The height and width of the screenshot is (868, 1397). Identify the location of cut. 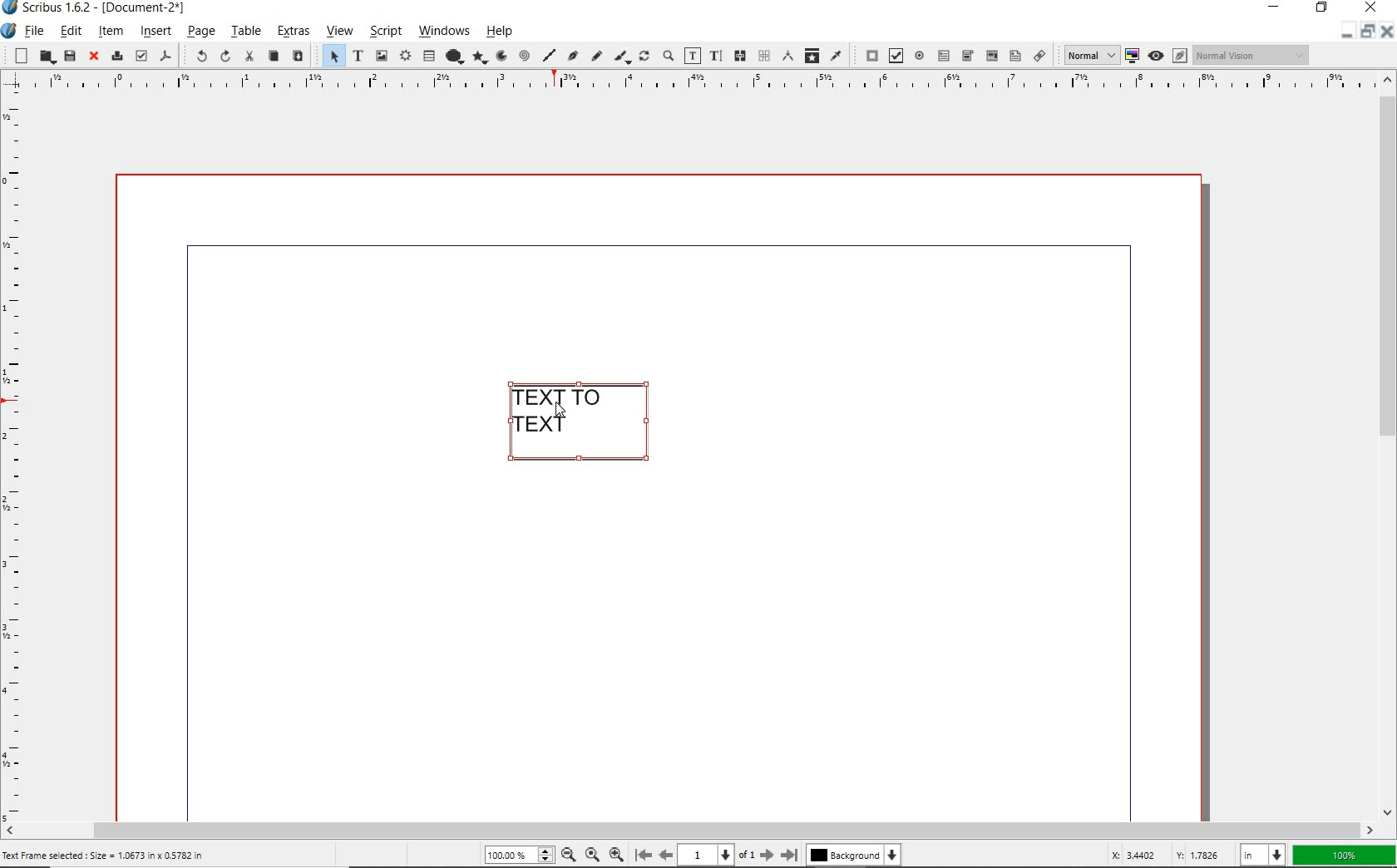
(248, 57).